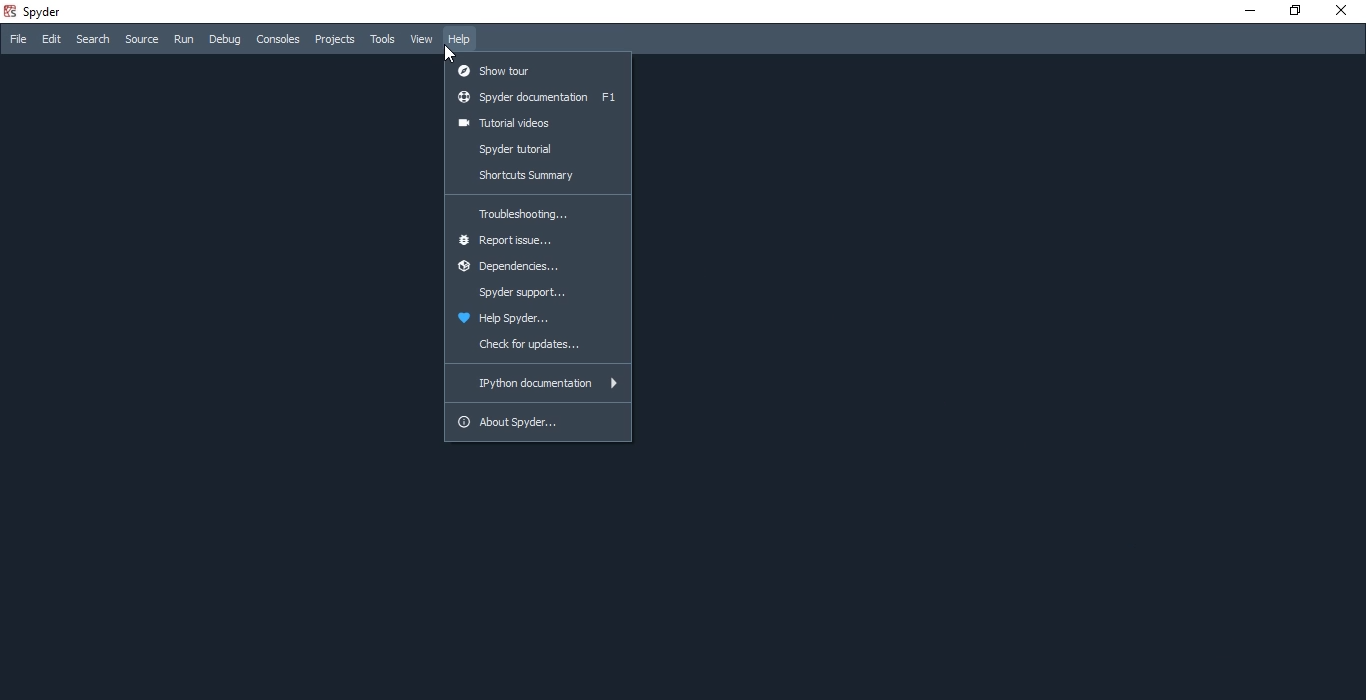 Image resolution: width=1366 pixels, height=700 pixels. I want to click on Run, so click(185, 39).